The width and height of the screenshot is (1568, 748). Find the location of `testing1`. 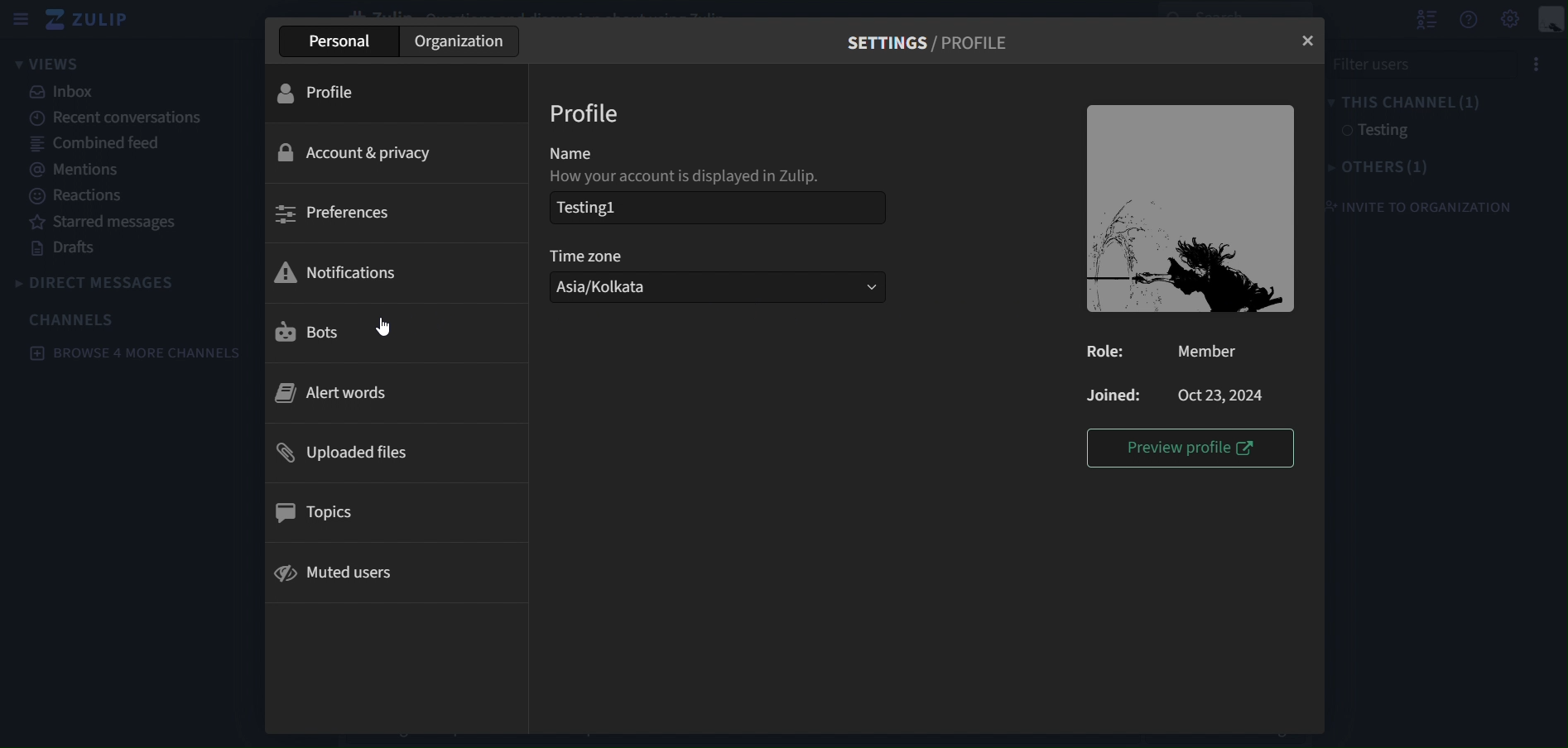

testing1 is located at coordinates (595, 207).